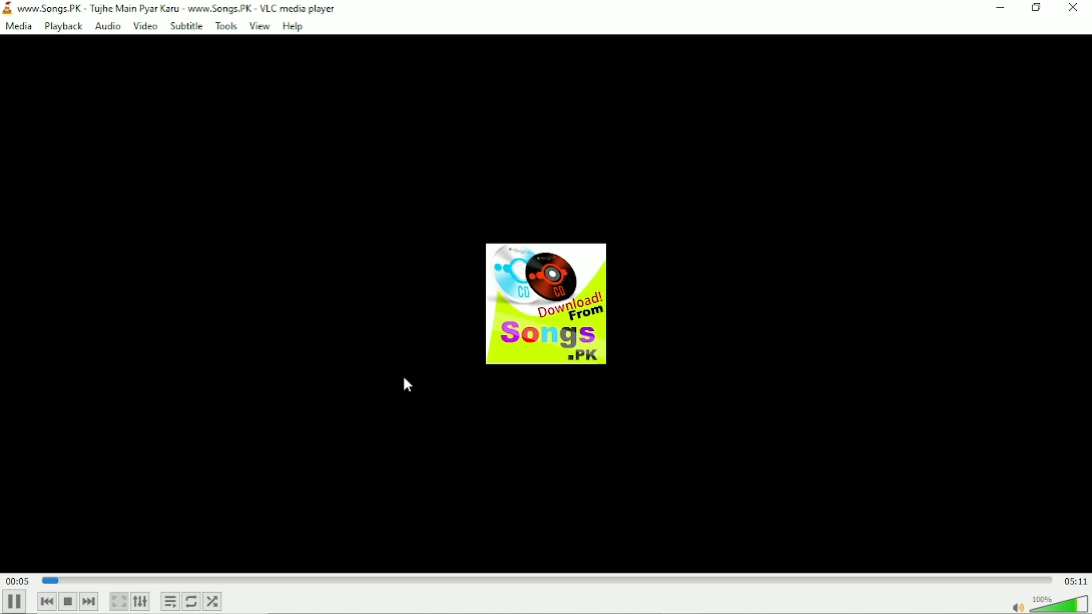  Describe the element at coordinates (213, 602) in the screenshot. I see `Random` at that location.